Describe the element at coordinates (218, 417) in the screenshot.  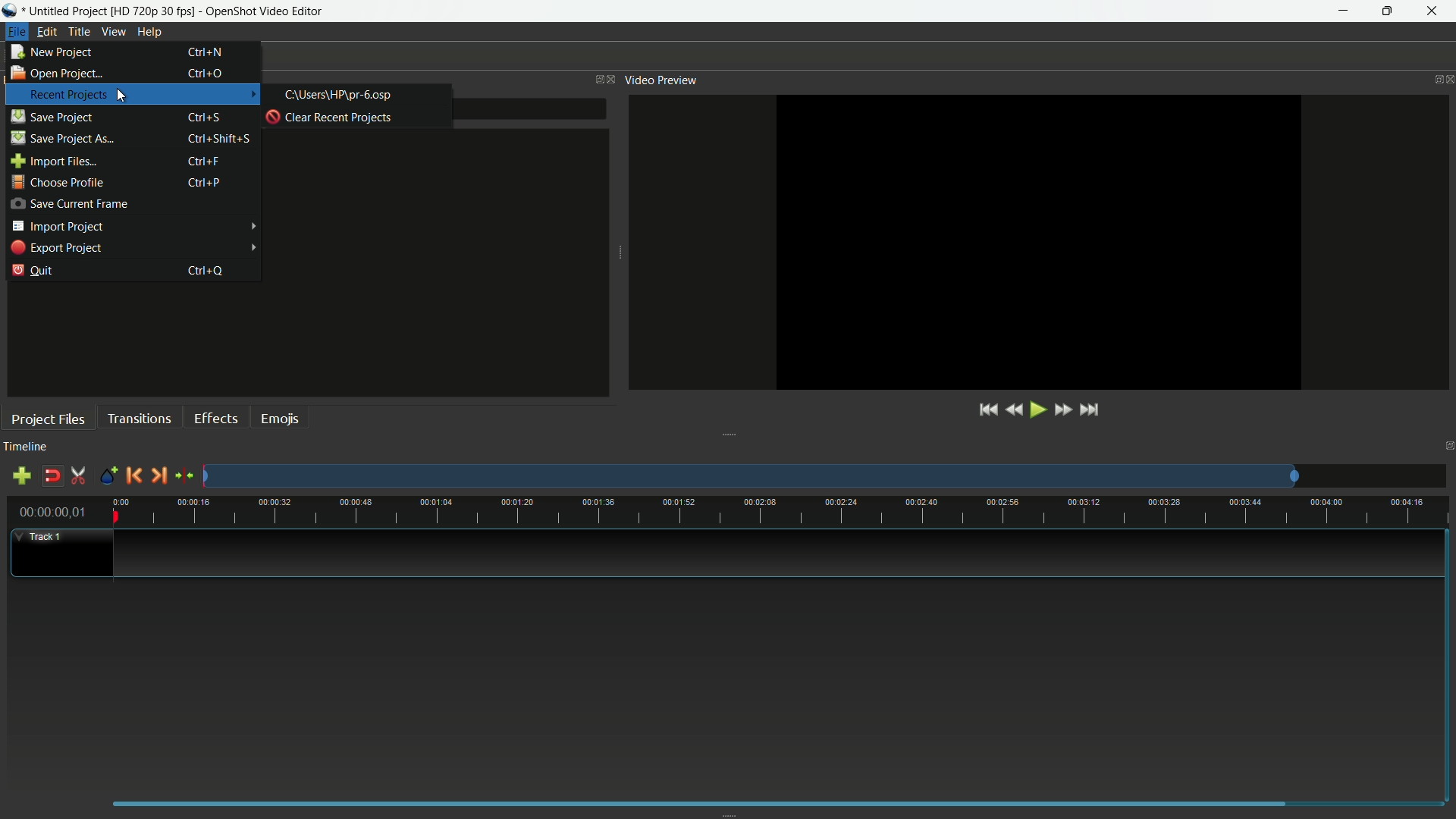
I see `effects` at that location.